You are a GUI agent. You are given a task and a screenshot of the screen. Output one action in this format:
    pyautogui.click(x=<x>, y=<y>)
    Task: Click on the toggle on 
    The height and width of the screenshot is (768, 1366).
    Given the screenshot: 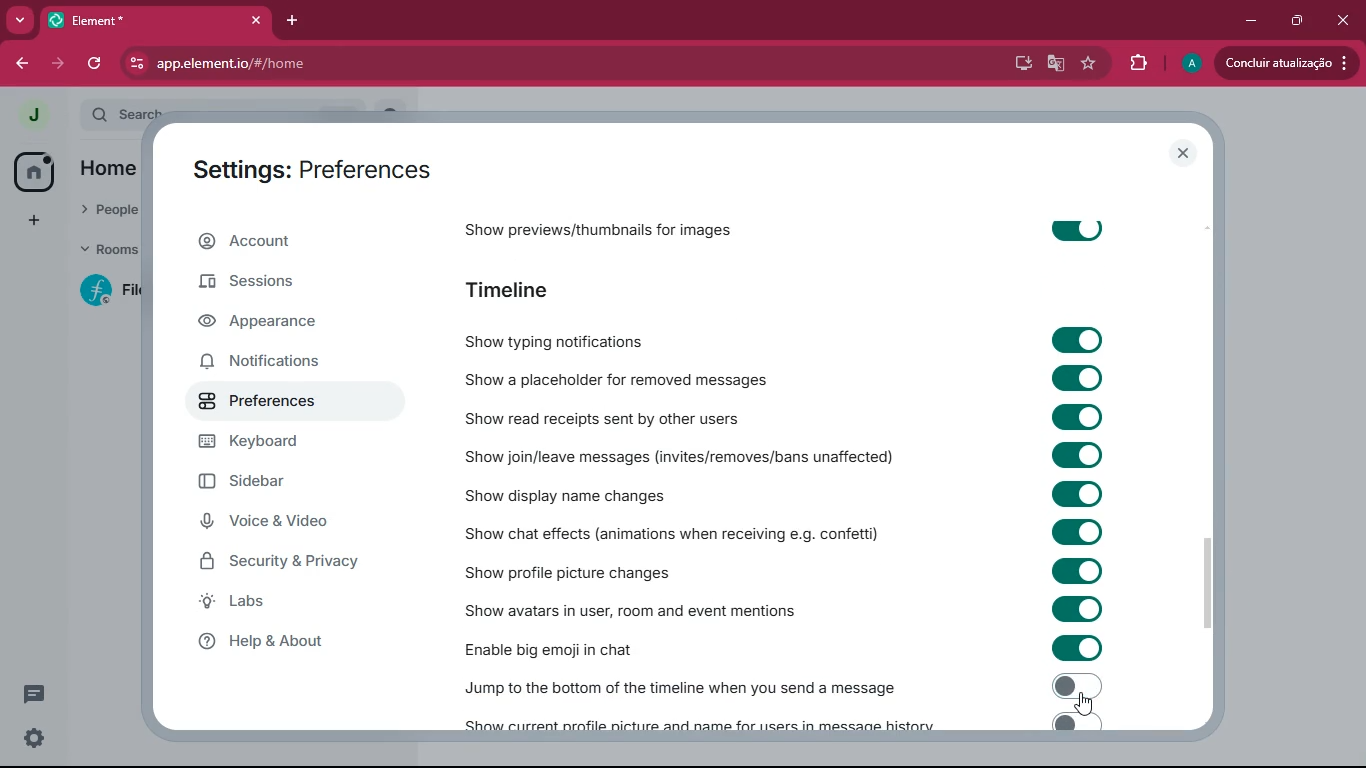 What is the action you would take?
    pyautogui.click(x=1074, y=227)
    